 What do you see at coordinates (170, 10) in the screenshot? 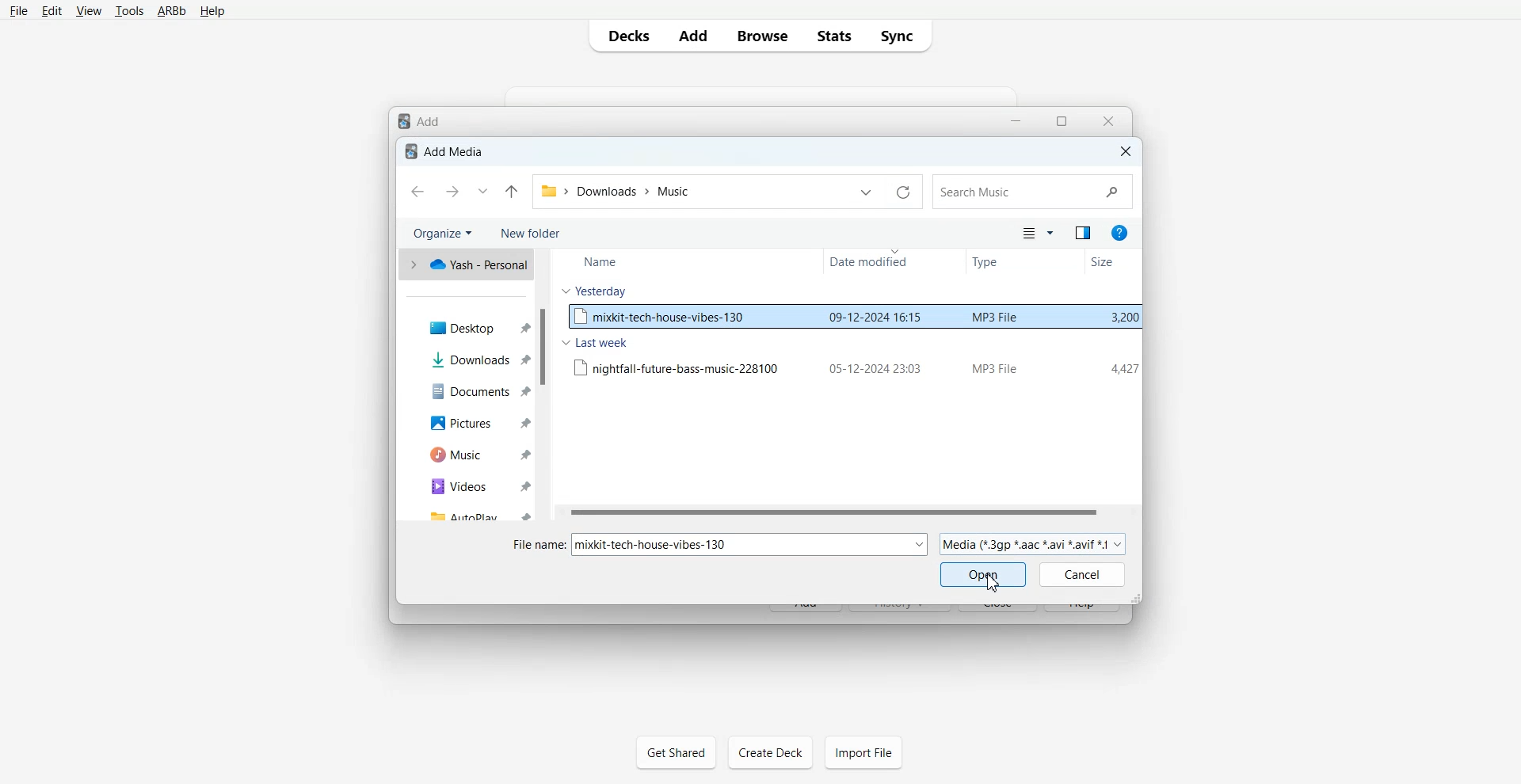
I see `ARBb` at bounding box center [170, 10].